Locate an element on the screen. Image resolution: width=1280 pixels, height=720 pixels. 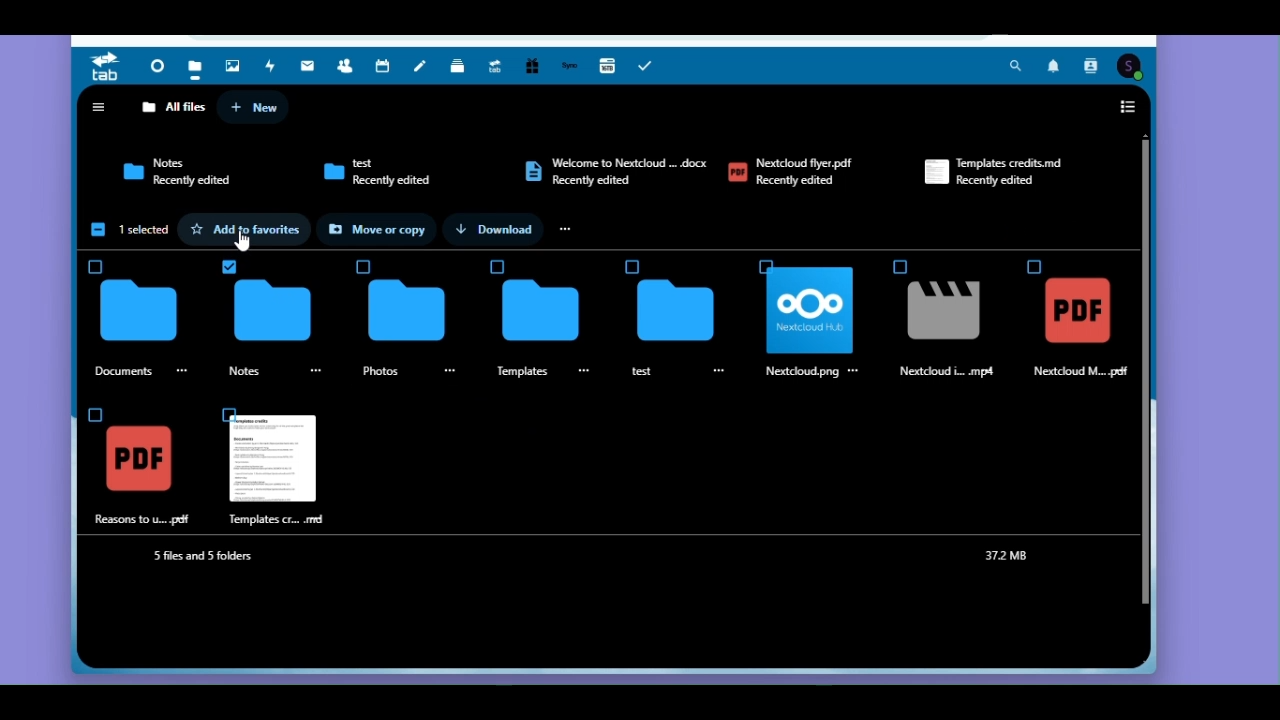
One selected  is located at coordinates (131, 231).